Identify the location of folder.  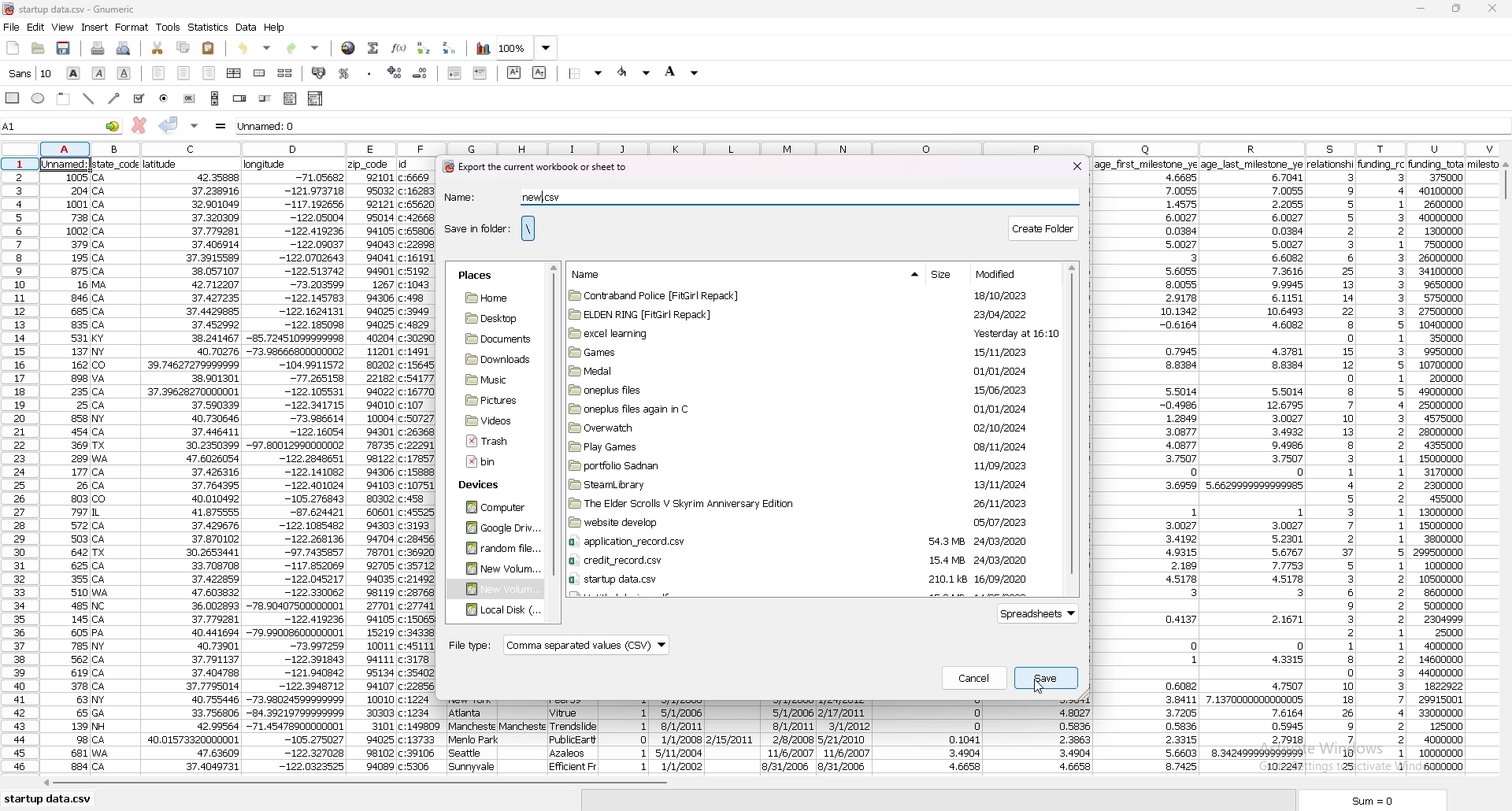
(802, 542).